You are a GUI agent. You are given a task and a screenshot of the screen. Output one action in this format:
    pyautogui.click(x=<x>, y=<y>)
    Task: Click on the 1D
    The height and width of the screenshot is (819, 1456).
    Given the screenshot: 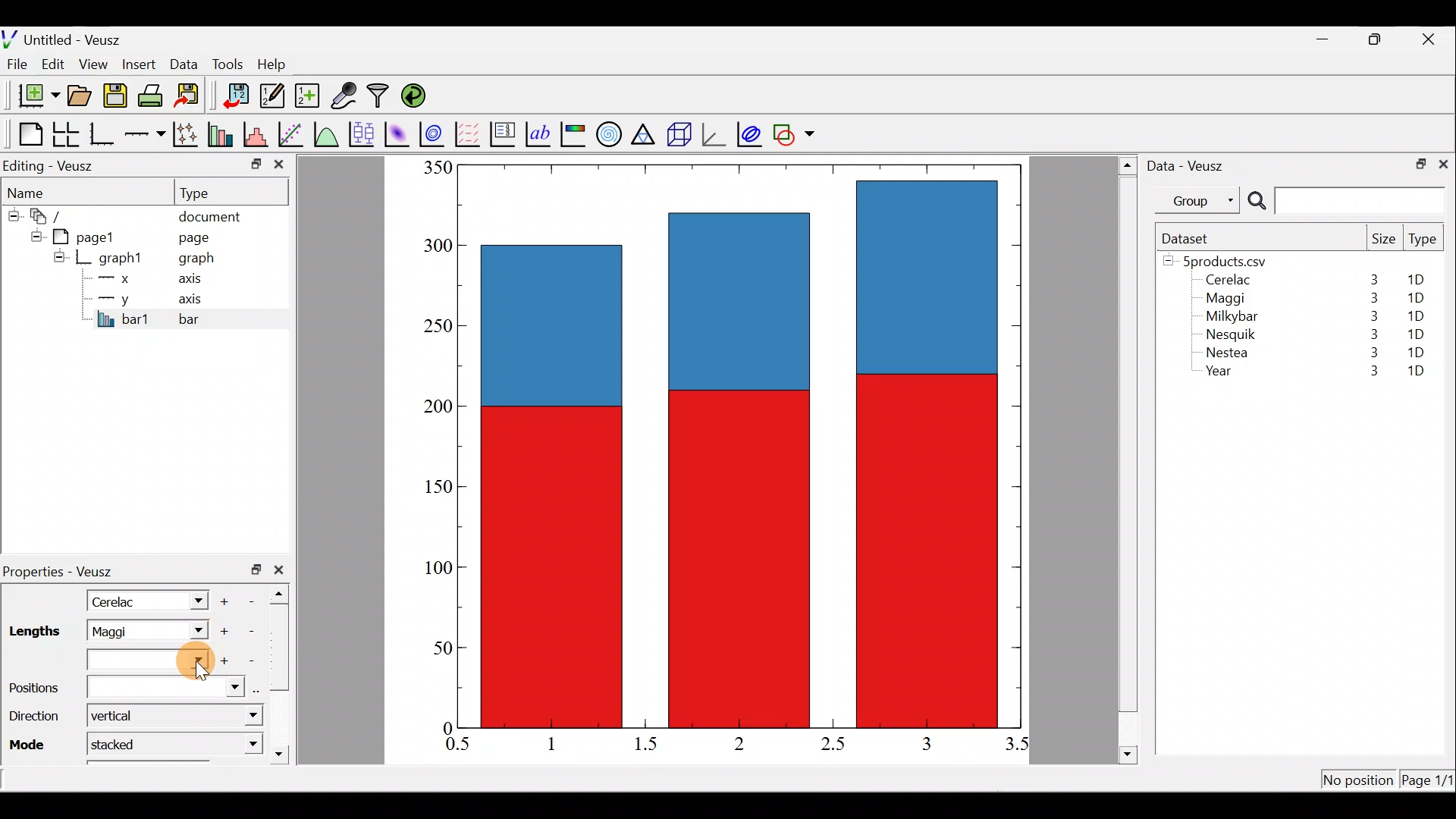 What is the action you would take?
    pyautogui.click(x=1418, y=331)
    